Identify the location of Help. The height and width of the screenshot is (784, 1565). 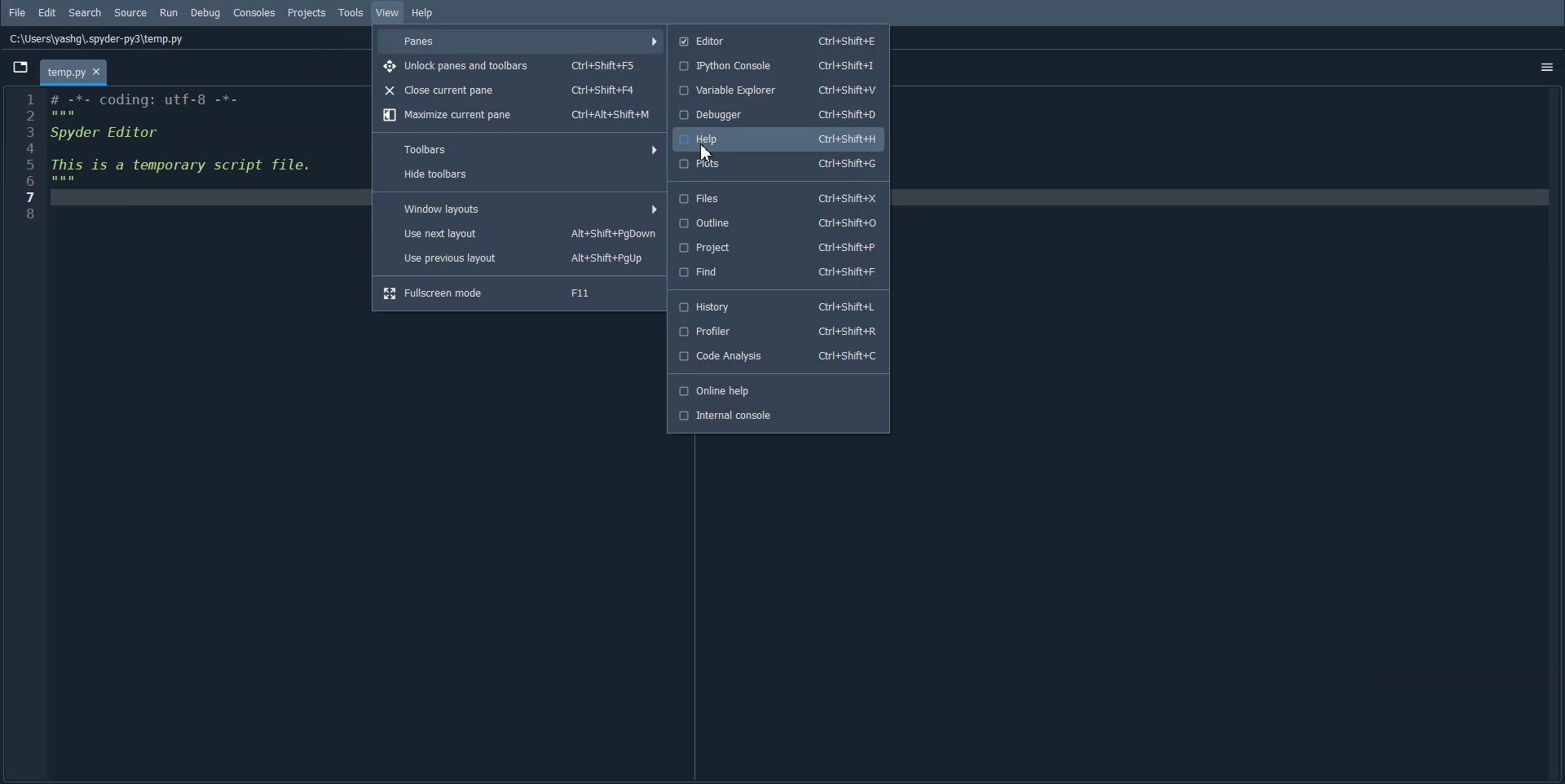
(423, 12).